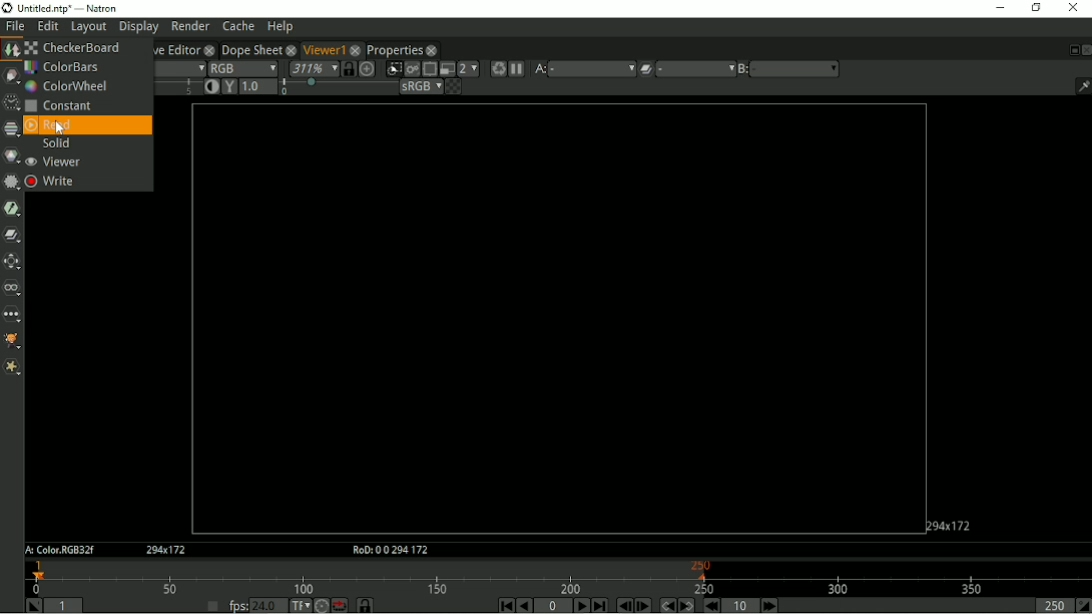 This screenshot has width=1092, height=614. I want to click on Behaviour, so click(339, 605).